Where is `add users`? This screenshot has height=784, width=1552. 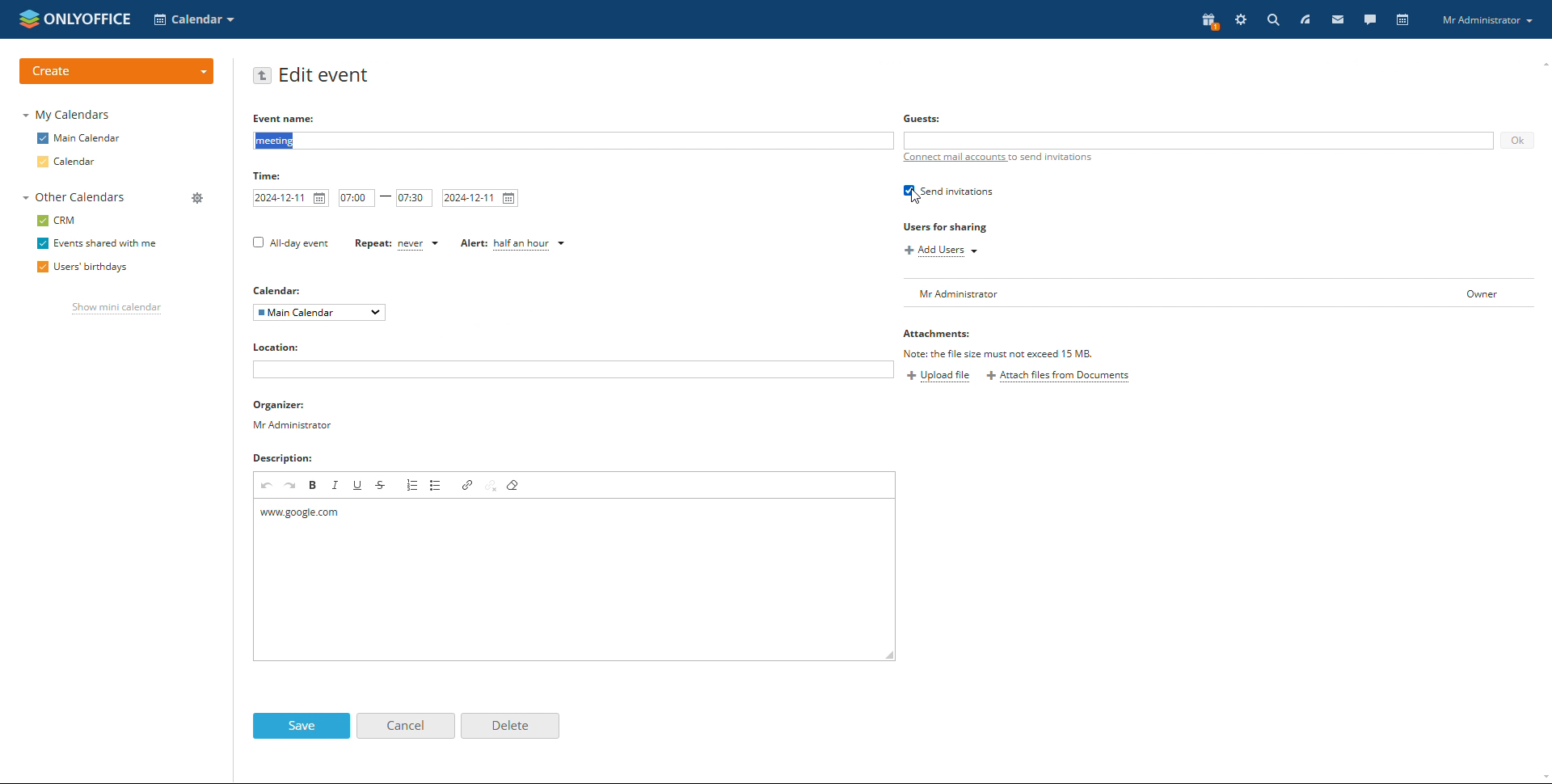
add users is located at coordinates (941, 251).